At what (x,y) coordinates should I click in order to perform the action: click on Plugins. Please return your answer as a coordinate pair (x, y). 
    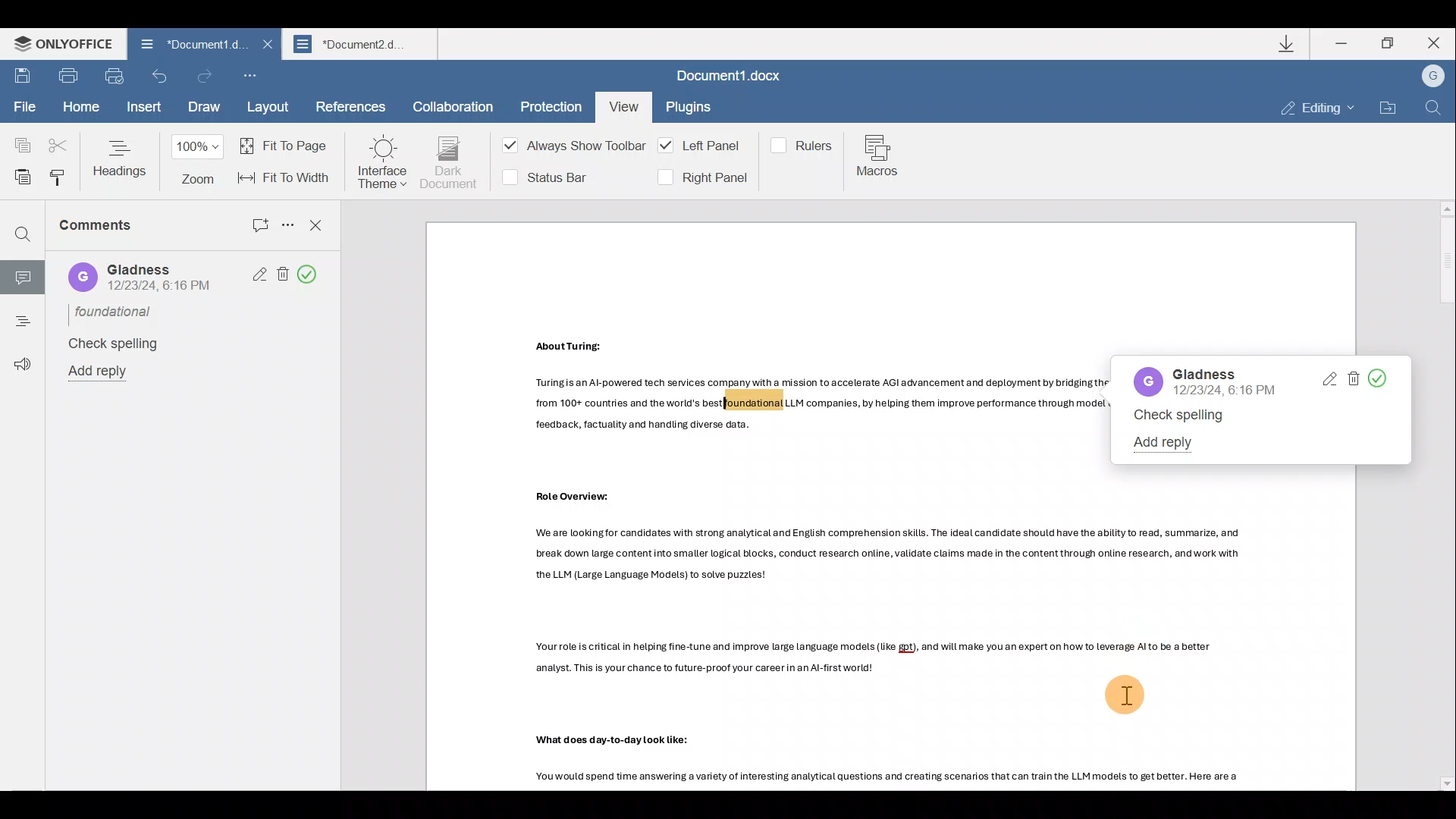
    Looking at the image, I should click on (690, 109).